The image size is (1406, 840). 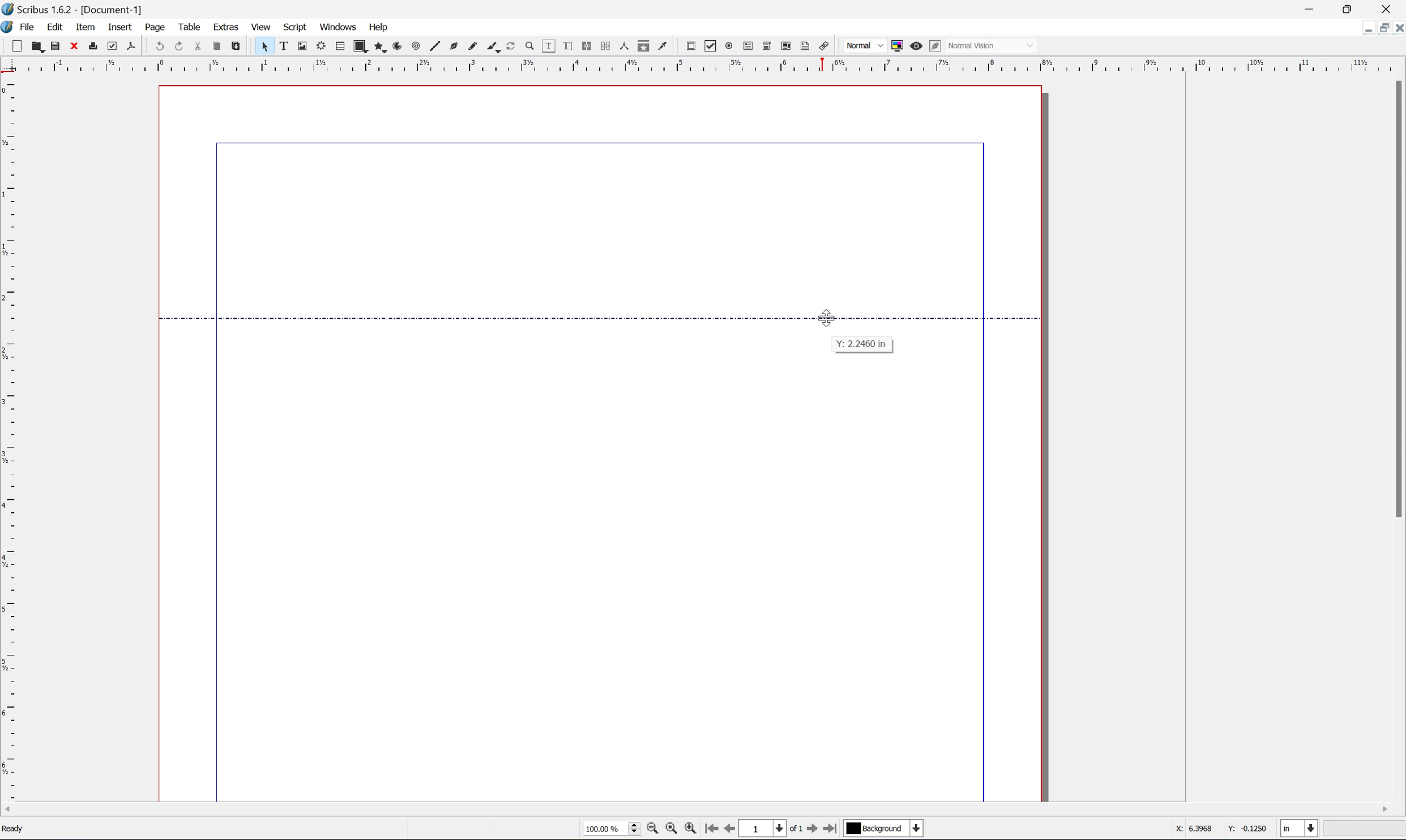 What do you see at coordinates (694, 831) in the screenshot?
I see `zoom in` at bounding box center [694, 831].